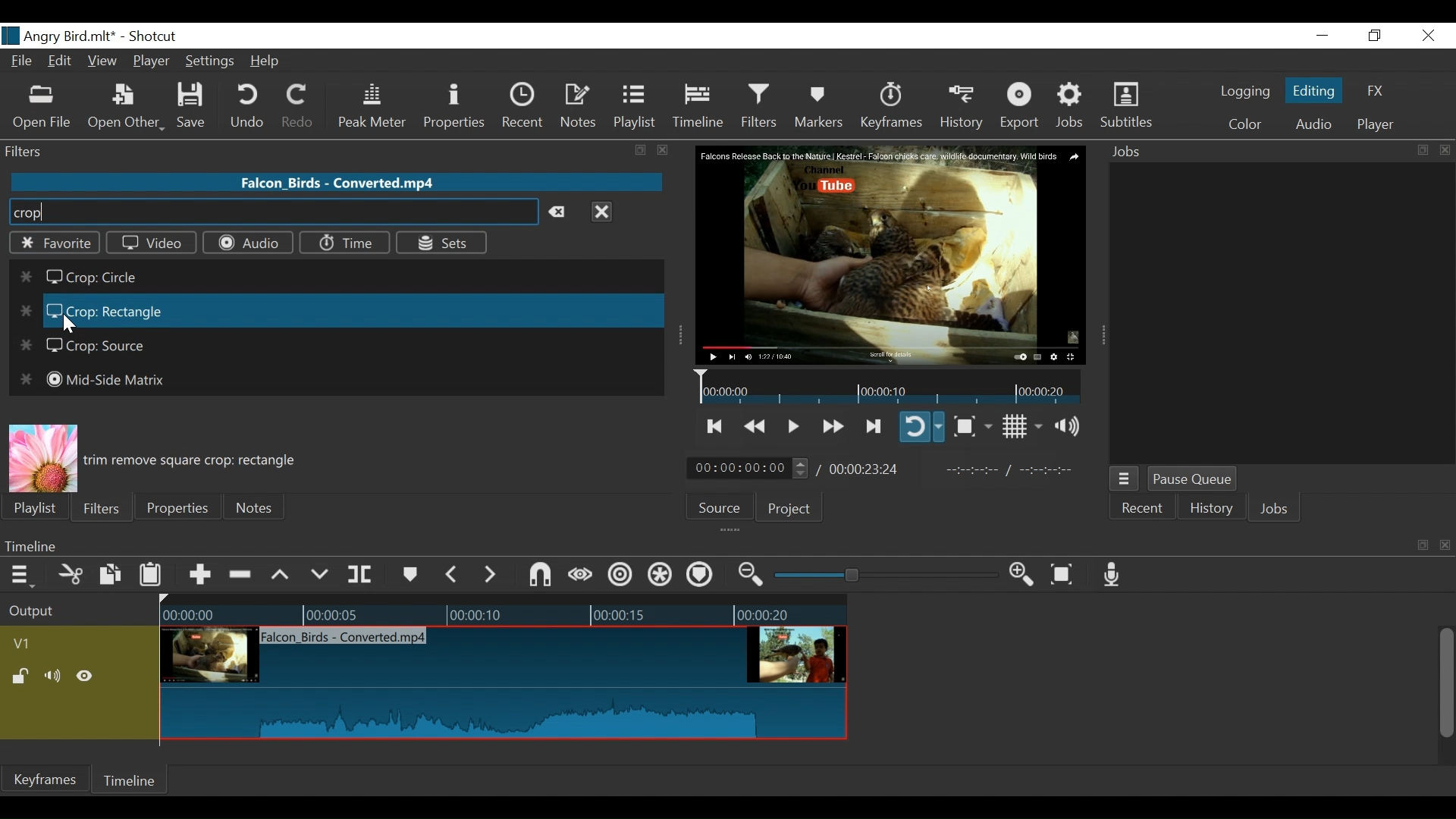  I want to click on Skip to the next point, so click(874, 427).